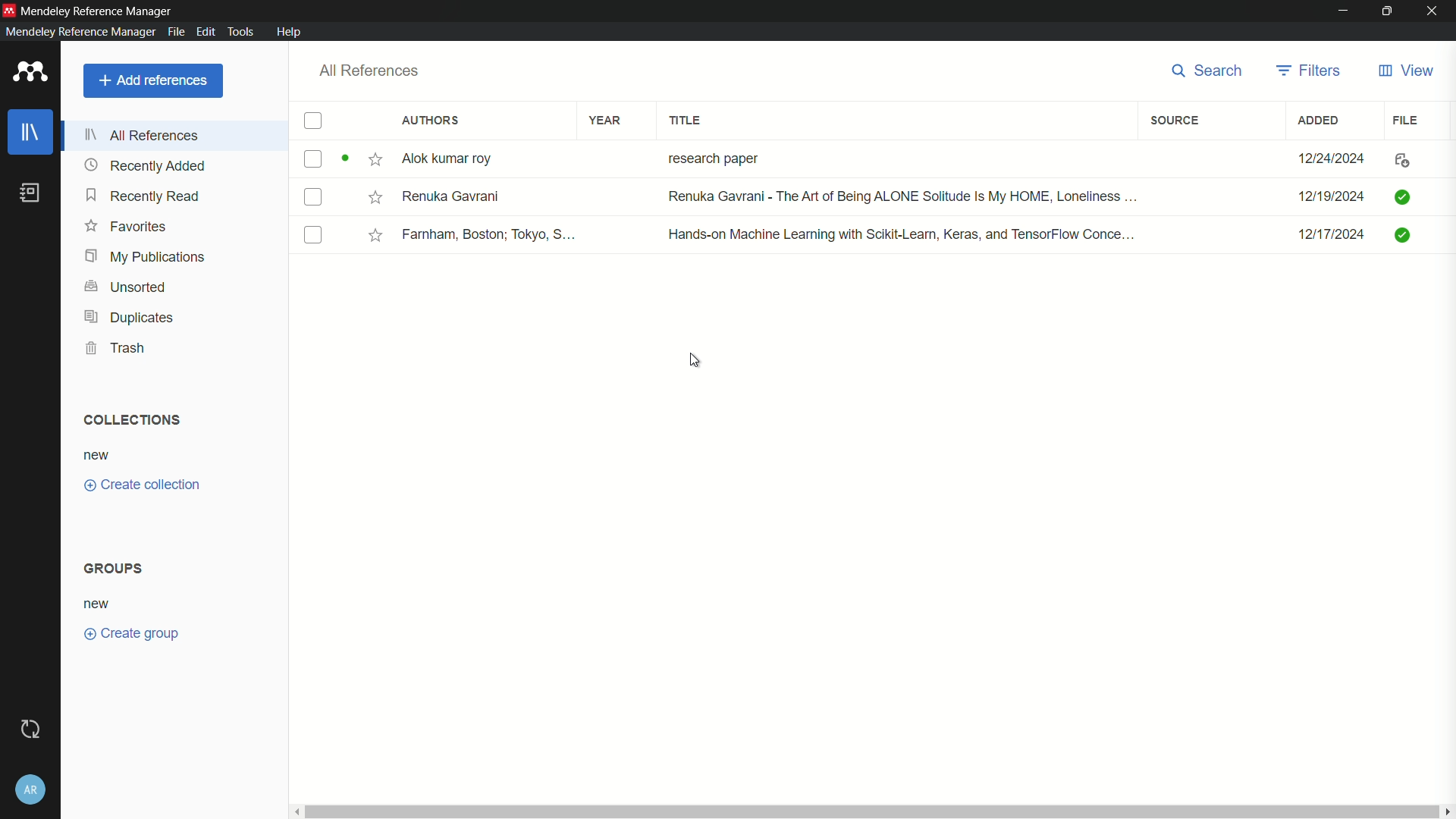 The width and height of the screenshot is (1456, 819). Describe the element at coordinates (101, 603) in the screenshot. I see `new ` at that location.